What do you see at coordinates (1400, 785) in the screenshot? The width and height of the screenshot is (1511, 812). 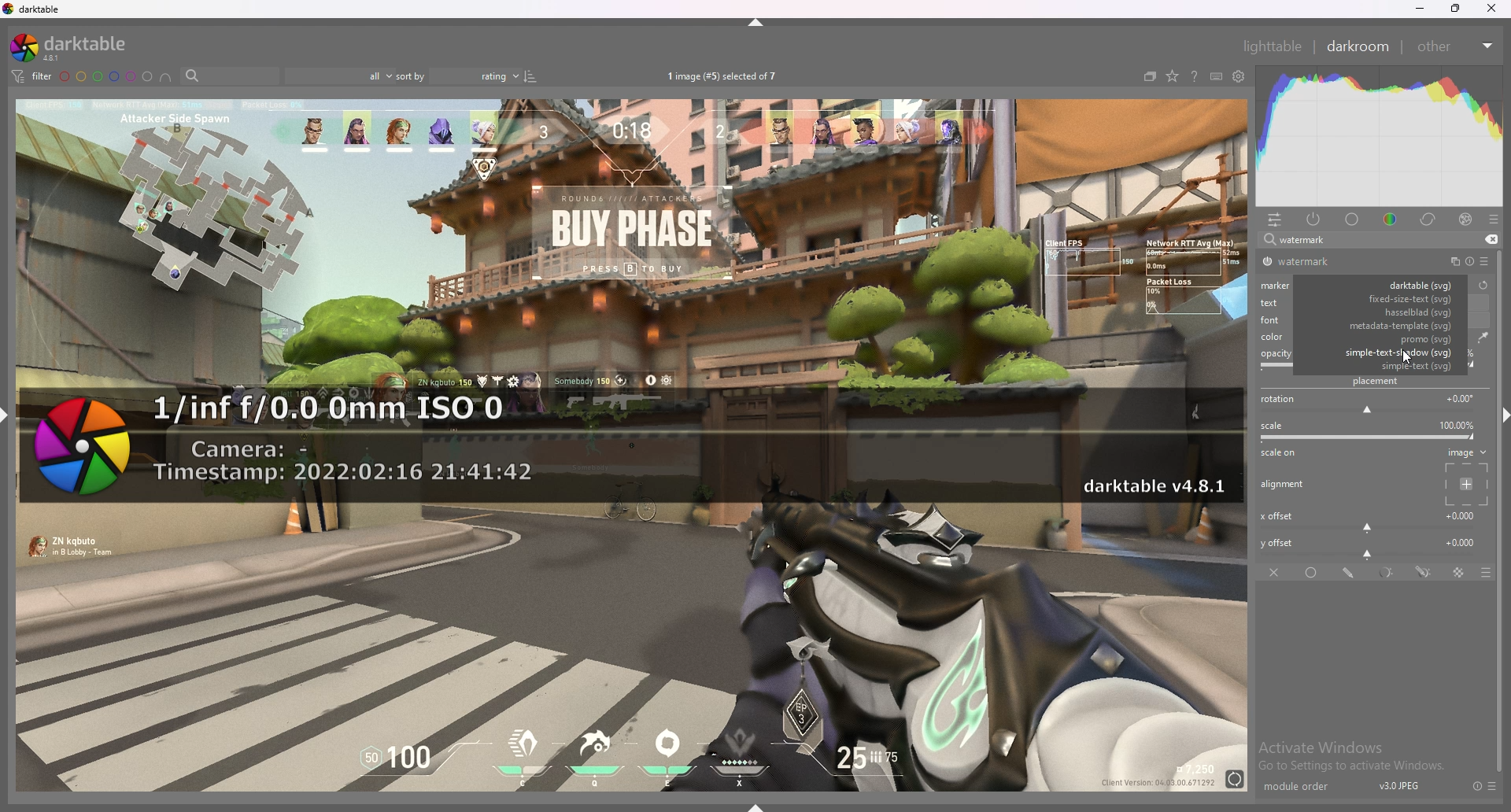 I see `version` at bounding box center [1400, 785].